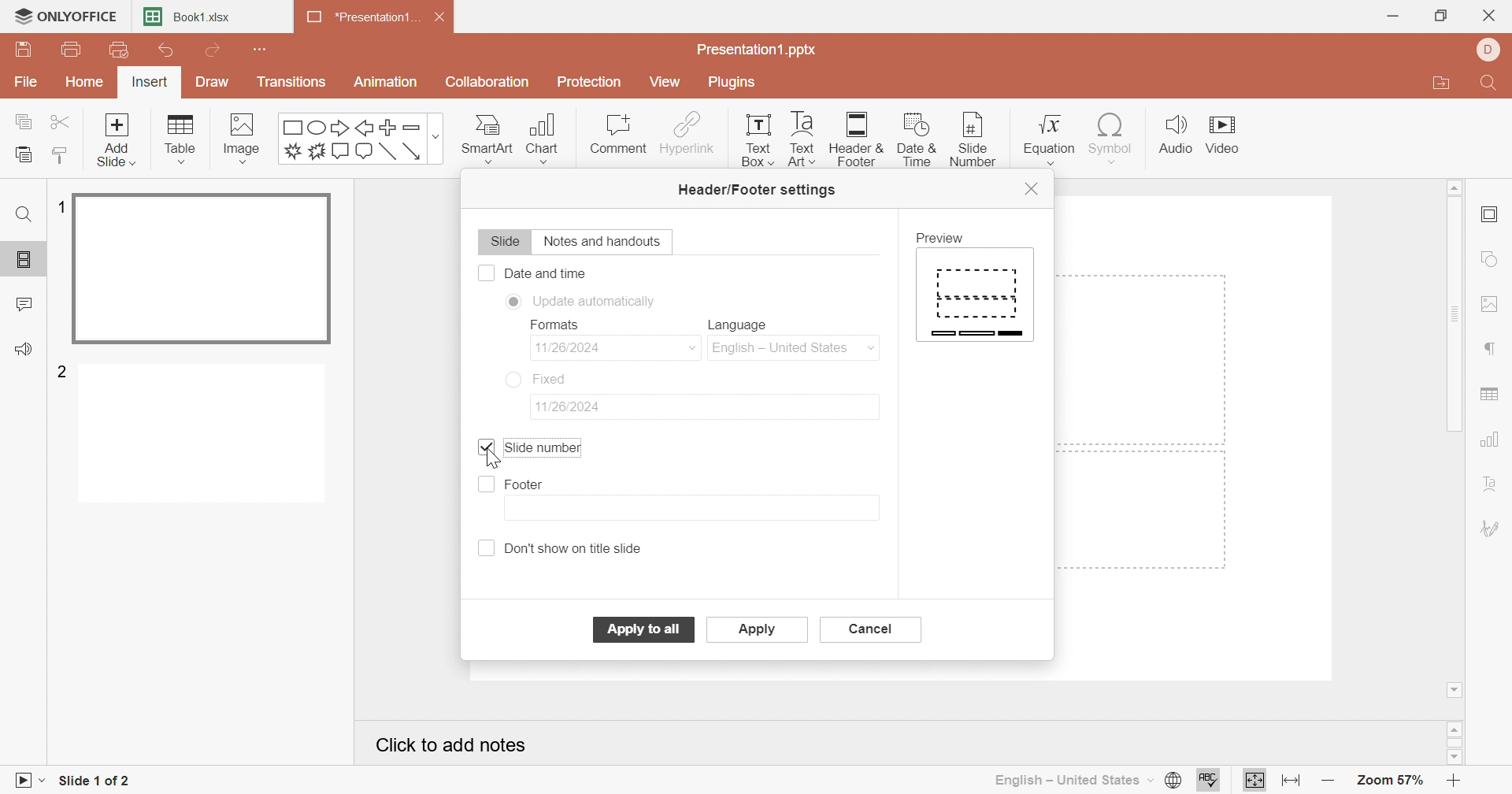 The width and height of the screenshot is (1512, 794). Describe the element at coordinates (1459, 315) in the screenshot. I see `Scroll Bar` at that location.